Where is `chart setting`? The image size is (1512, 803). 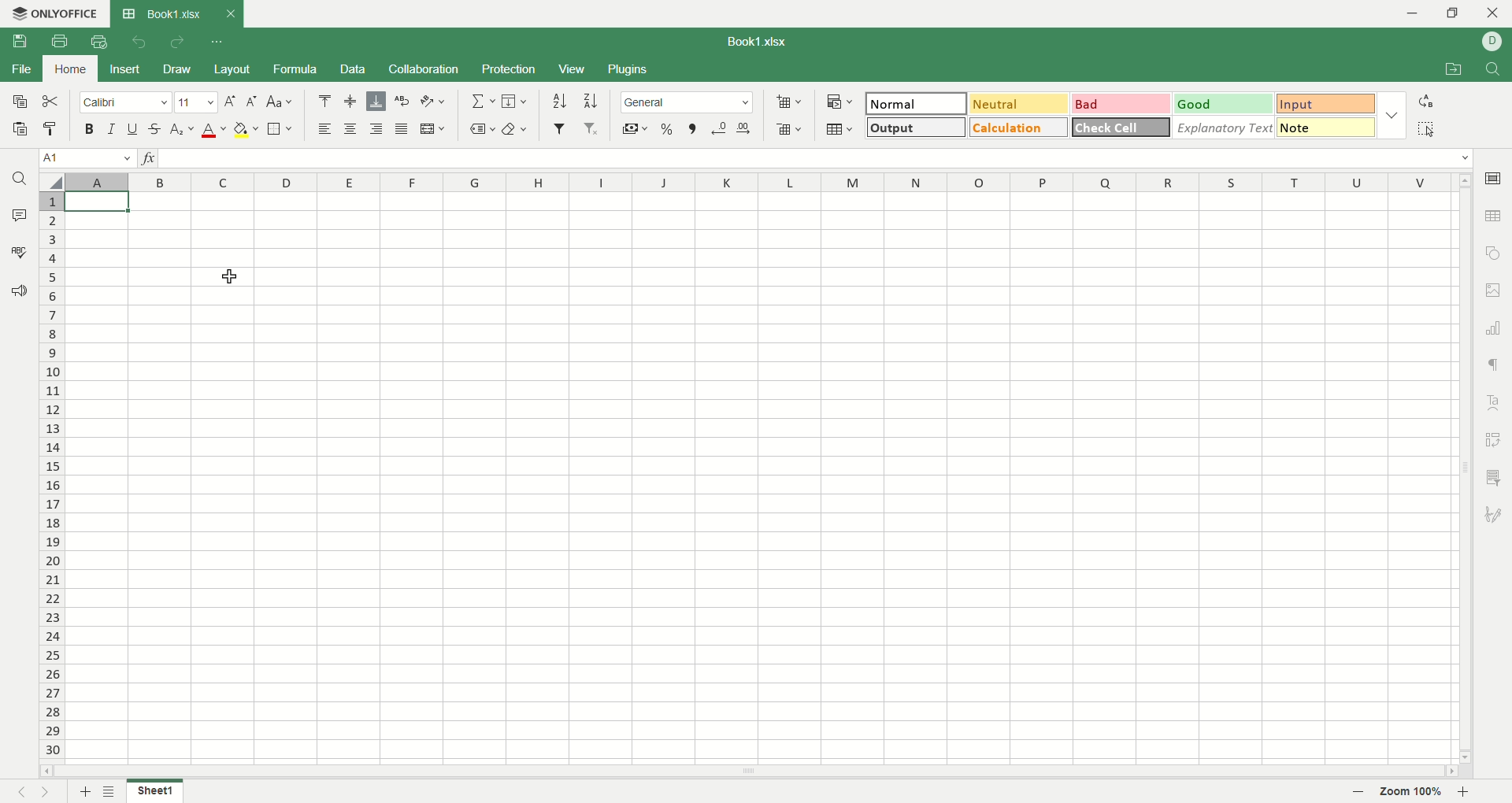
chart setting is located at coordinates (1496, 328).